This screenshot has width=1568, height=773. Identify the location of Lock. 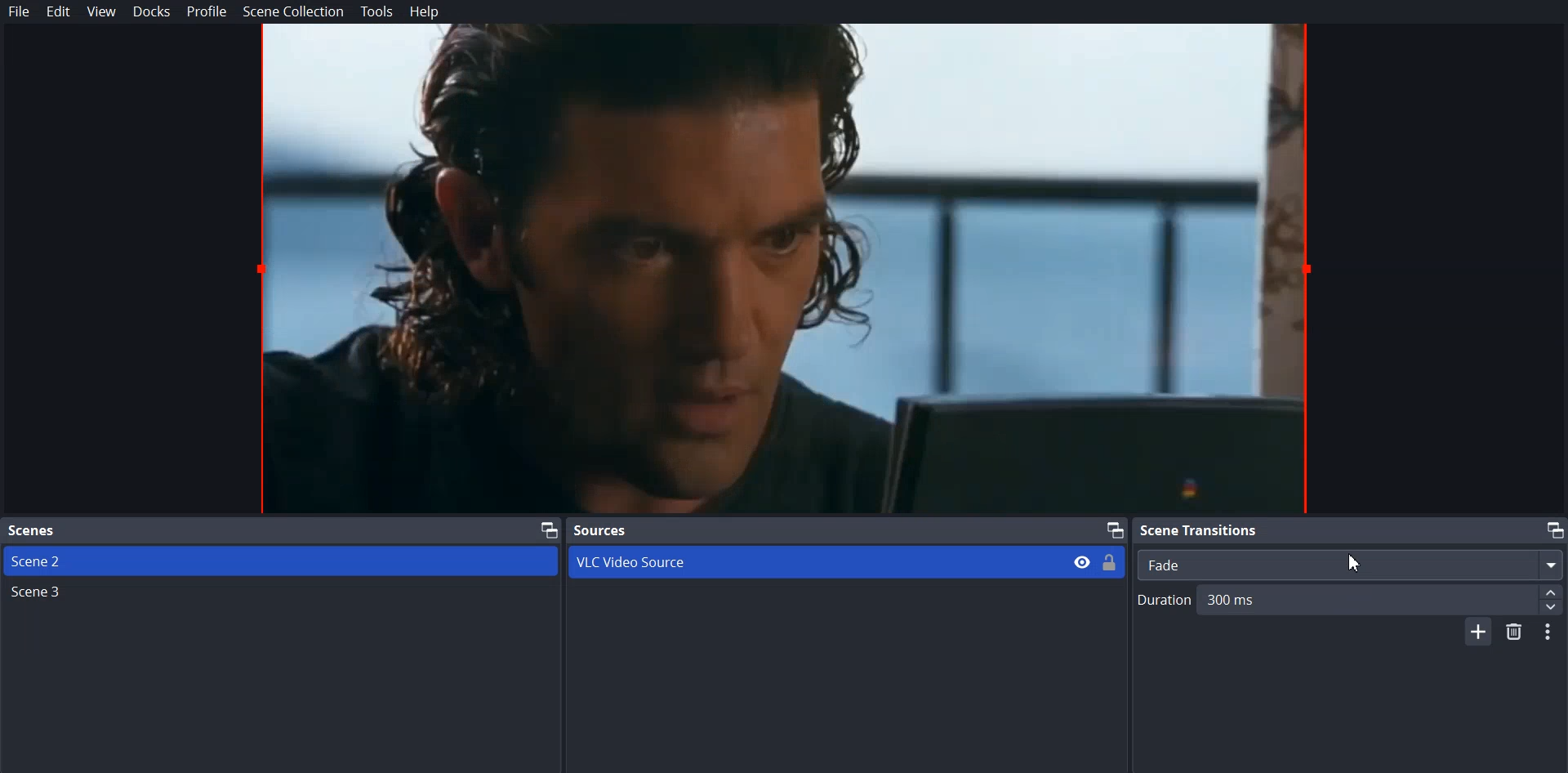
(1111, 563).